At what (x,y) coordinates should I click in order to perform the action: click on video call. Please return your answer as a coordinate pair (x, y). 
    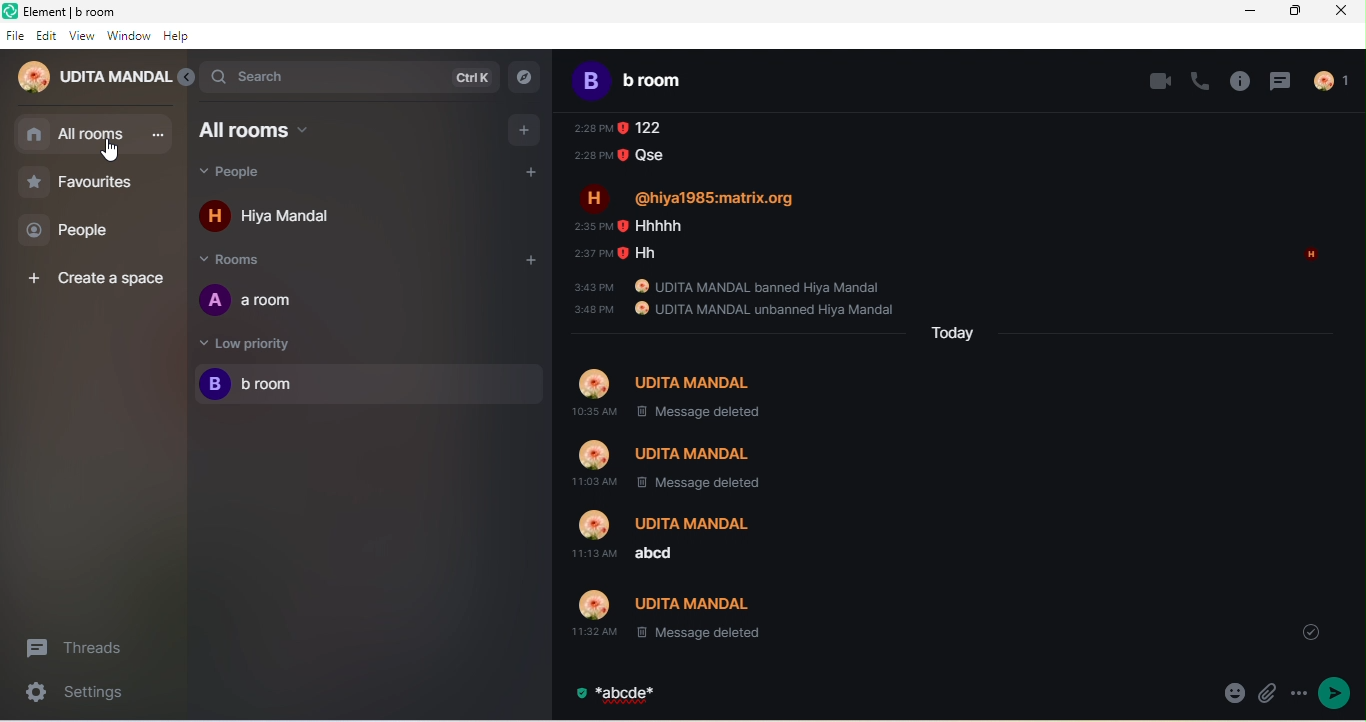
    Looking at the image, I should click on (1148, 79).